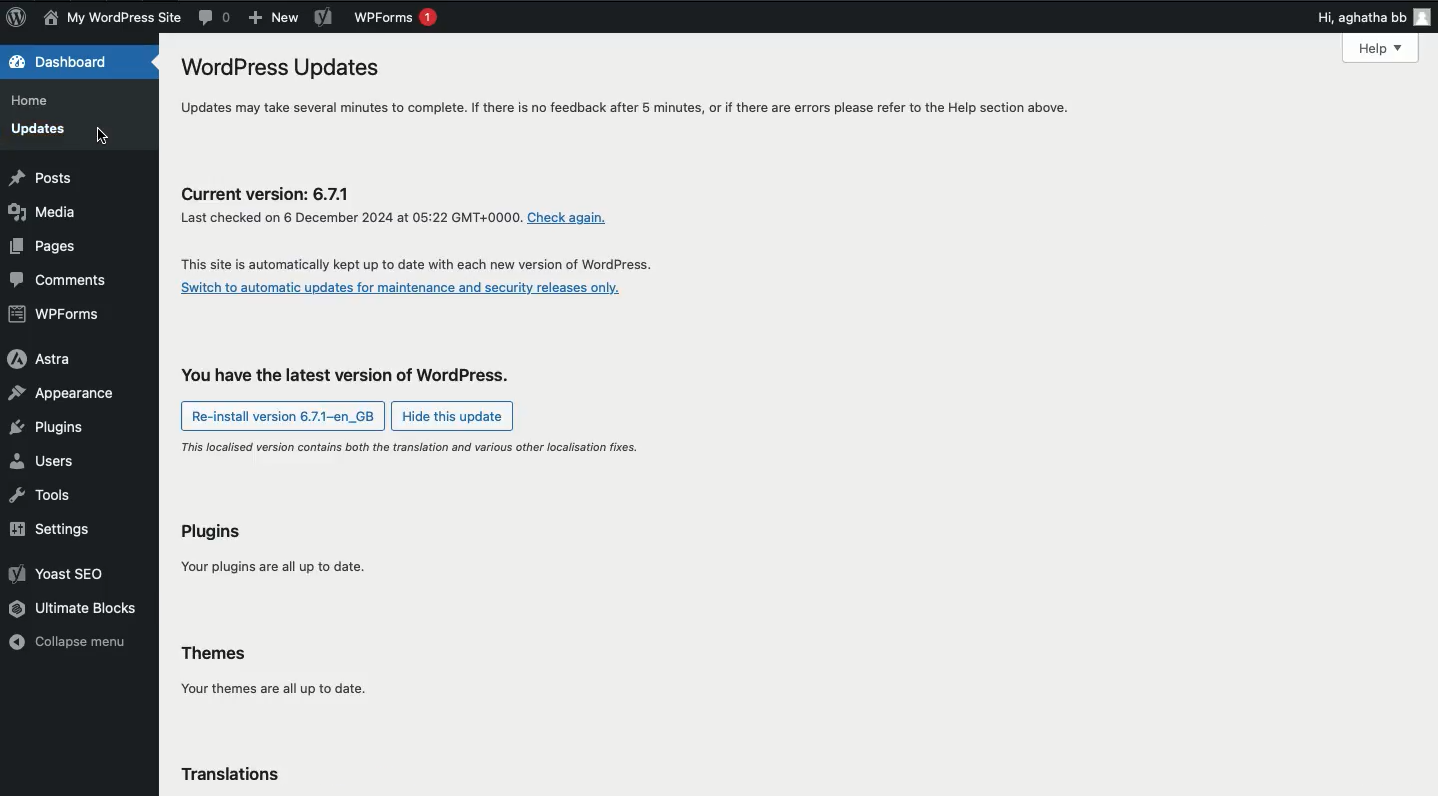 The image size is (1438, 796). Describe the element at coordinates (456, 416) in the screenshot. I see `Hide this update` at that location.